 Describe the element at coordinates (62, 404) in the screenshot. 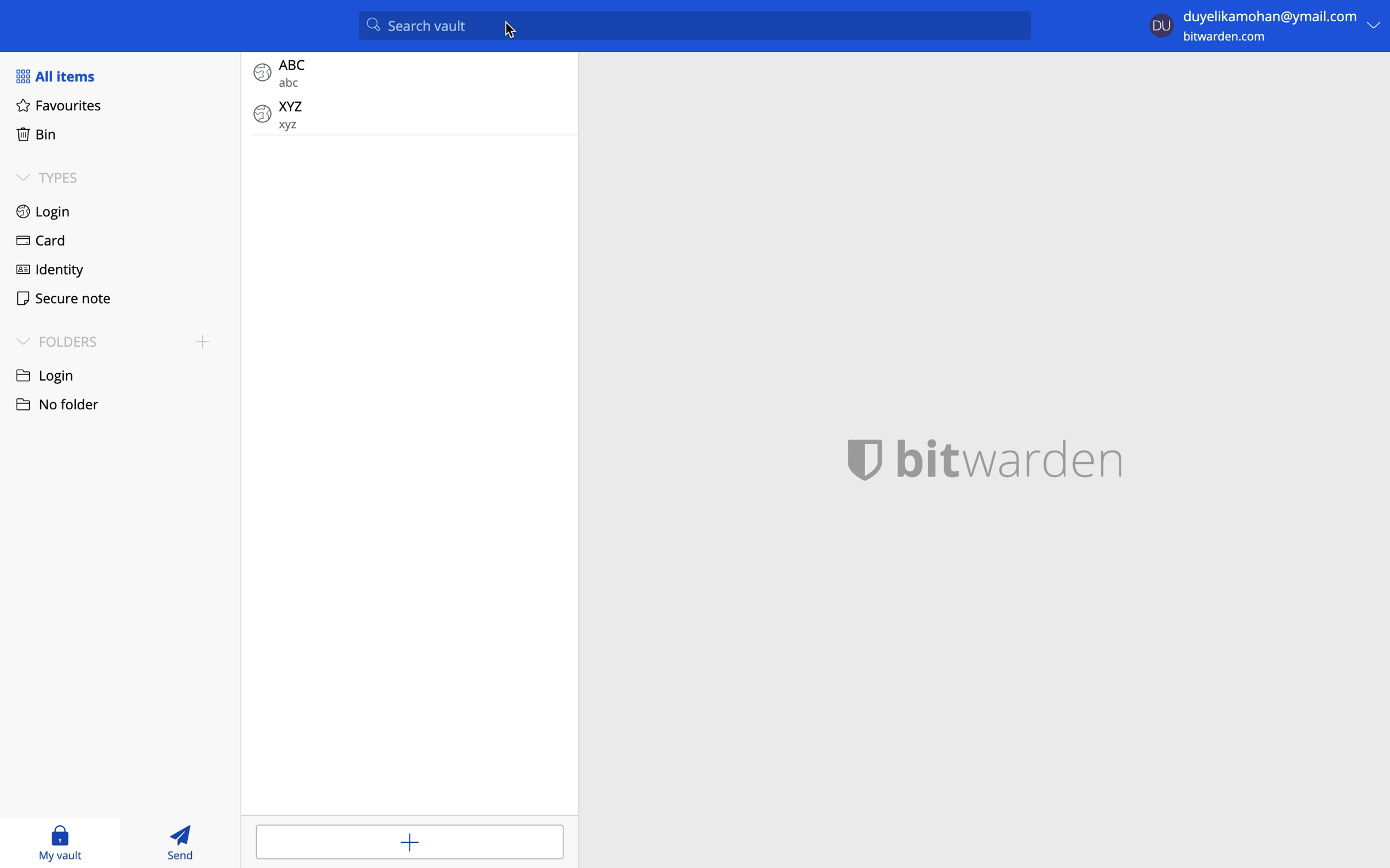

I see `no folder` at that location.